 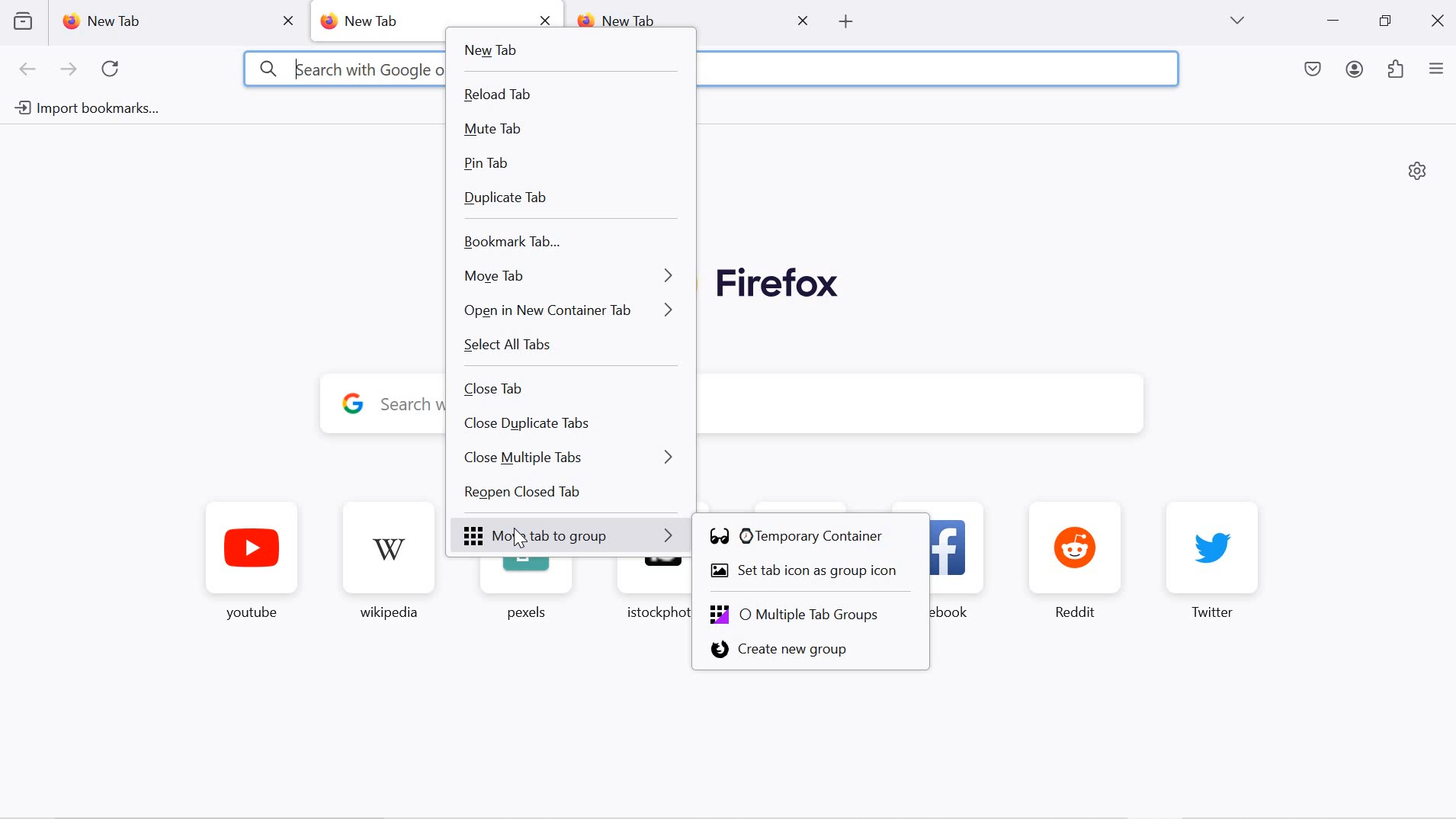 What do you see at coordinates (290, 21) in the screenshot?
I see `close tab` at bounding box center [290, 21].